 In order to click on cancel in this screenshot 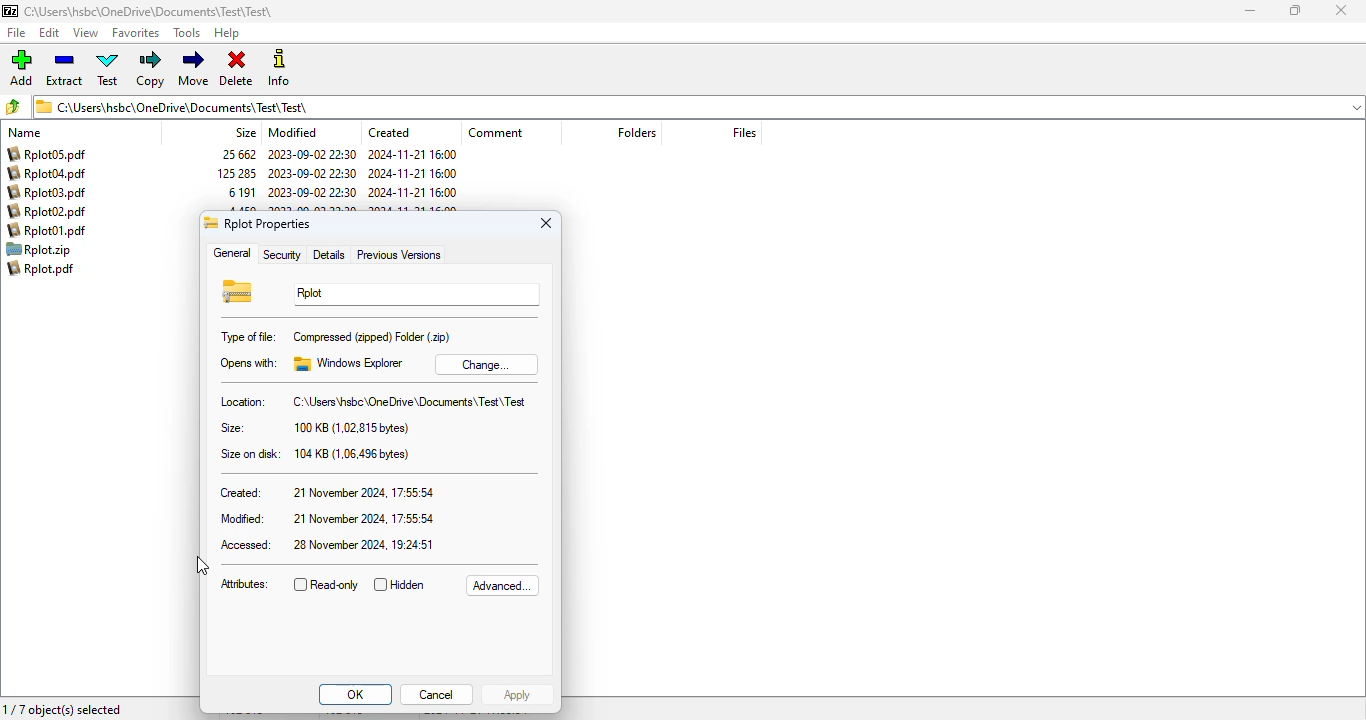, I will do `click(436, 694)`.